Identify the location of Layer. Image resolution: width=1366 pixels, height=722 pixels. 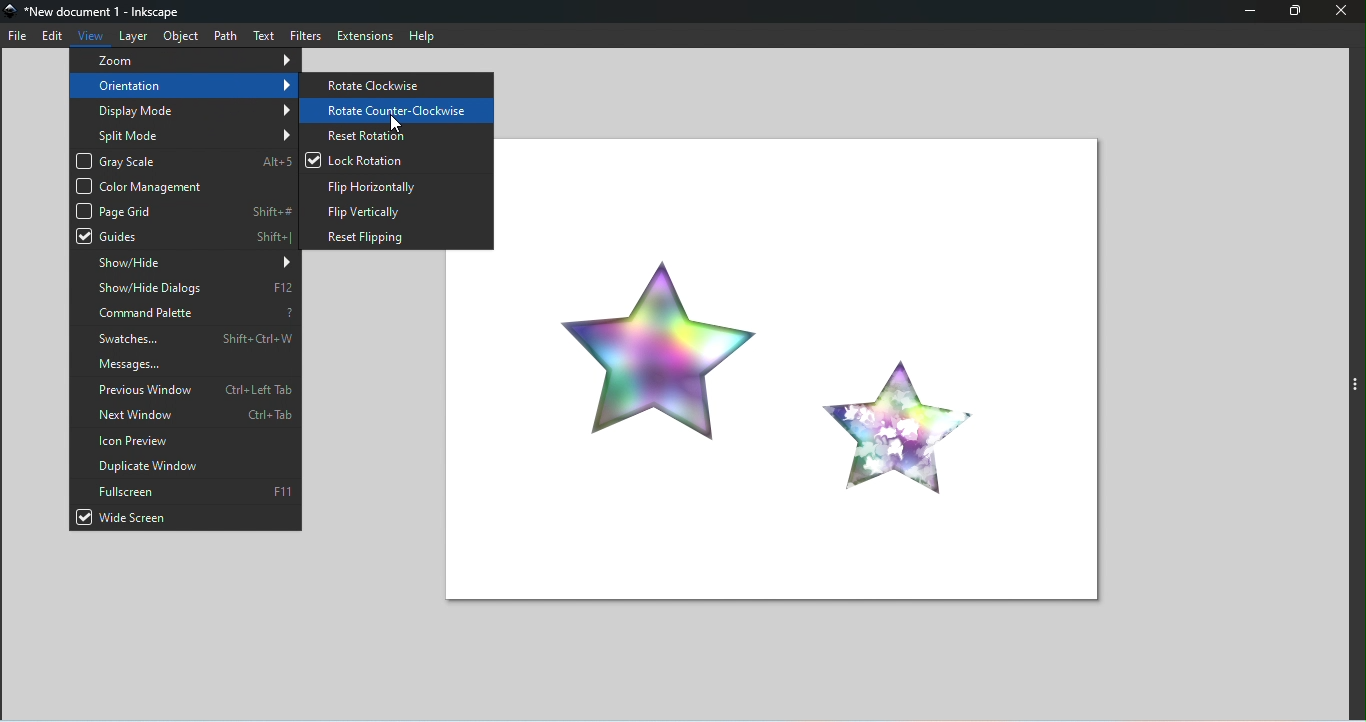
(136, 36).